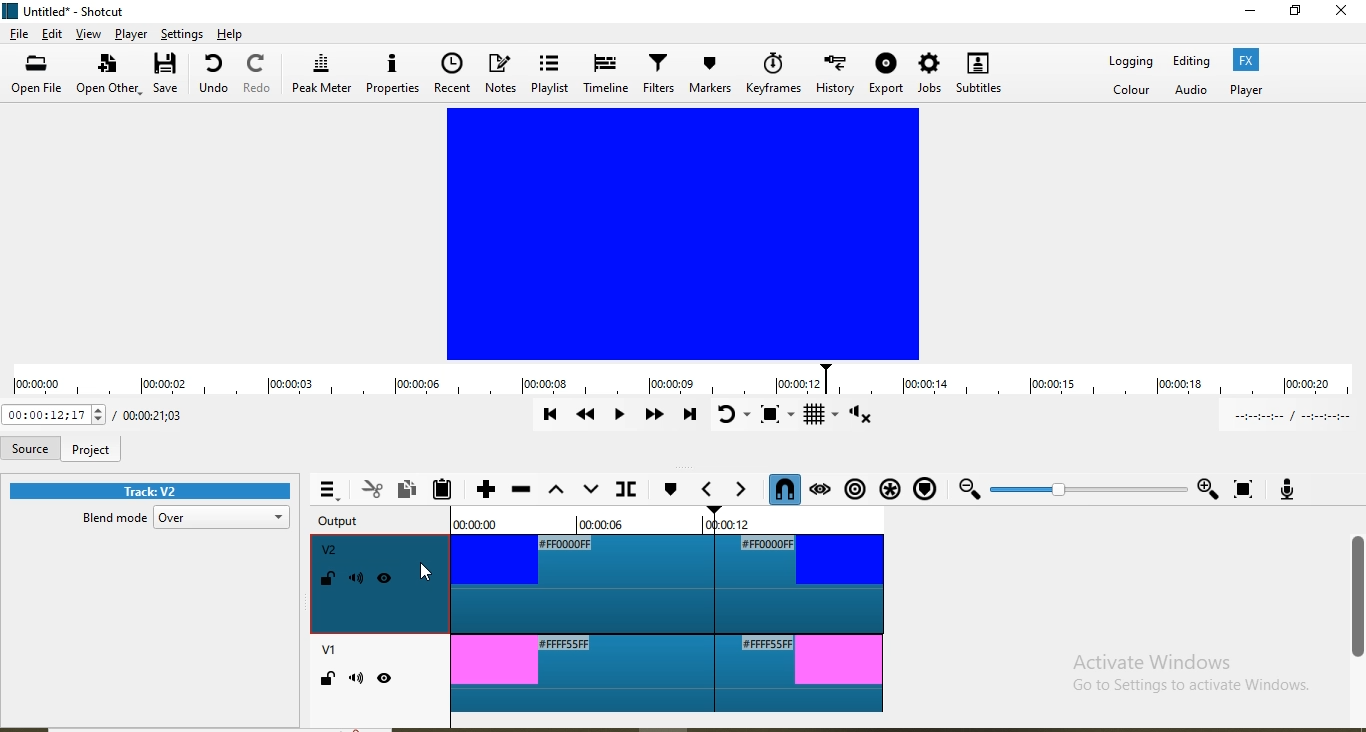 This screenshot has width=1366, height=732. What do you see at coordinates (214, 77) in the screenshot?
I see `undo` at bounding box center [214, 77].